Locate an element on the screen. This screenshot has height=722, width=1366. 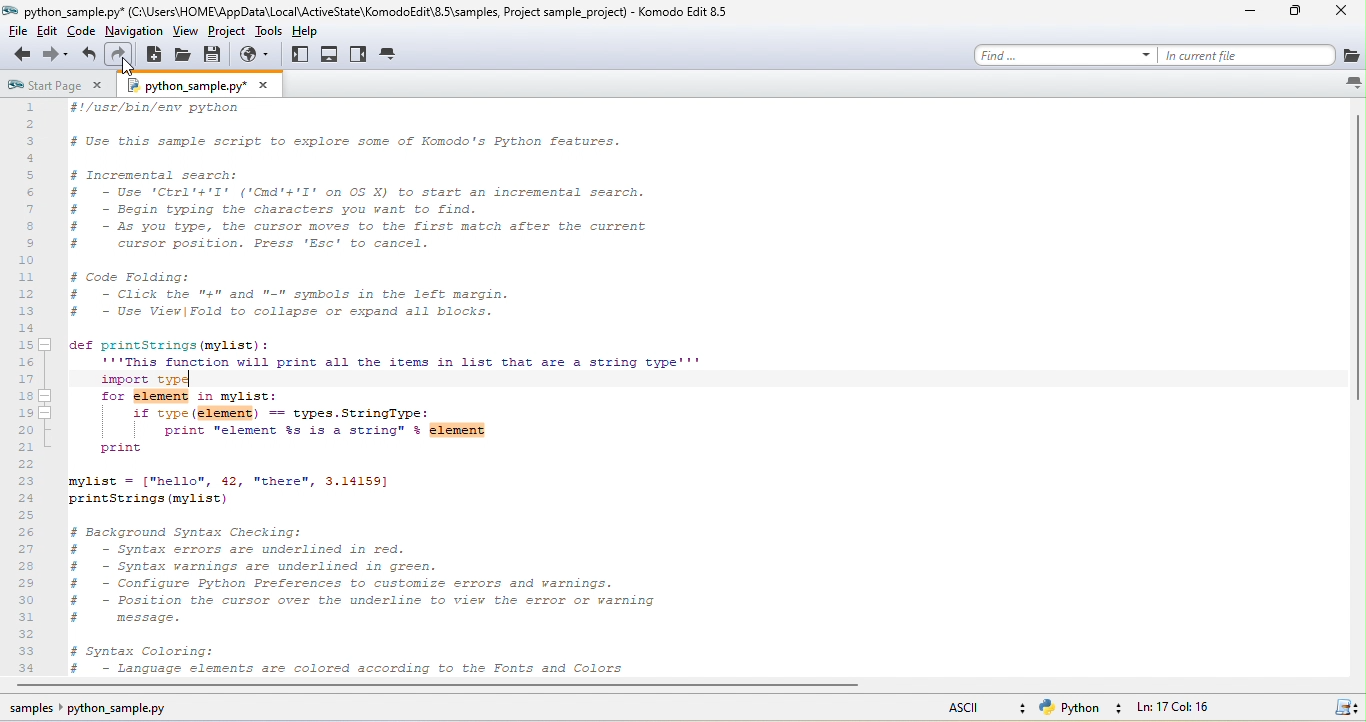
dialog box is located at coordinates (207, 85).